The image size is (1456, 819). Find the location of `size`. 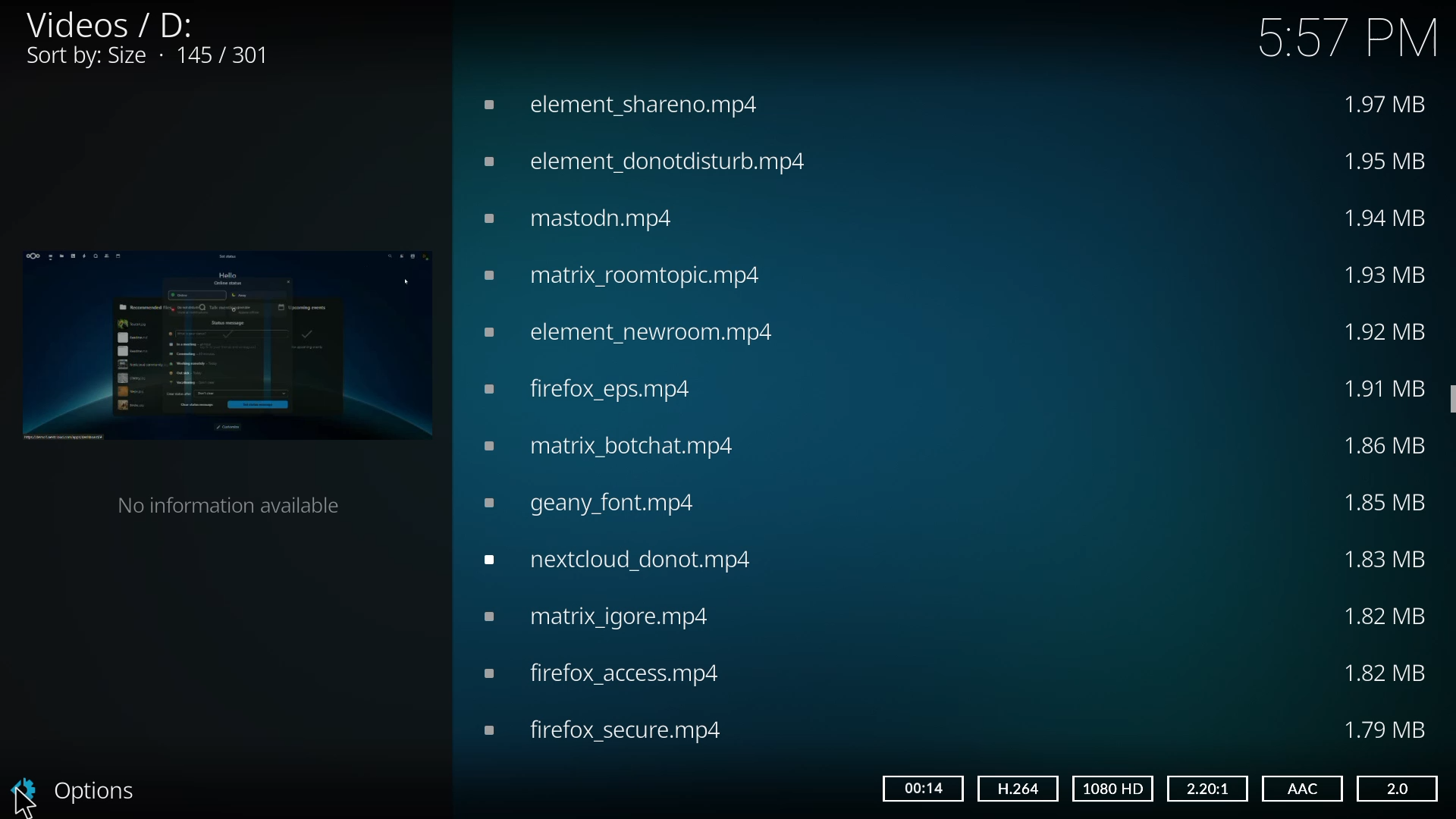

size is located at coordinates (1389, 501).